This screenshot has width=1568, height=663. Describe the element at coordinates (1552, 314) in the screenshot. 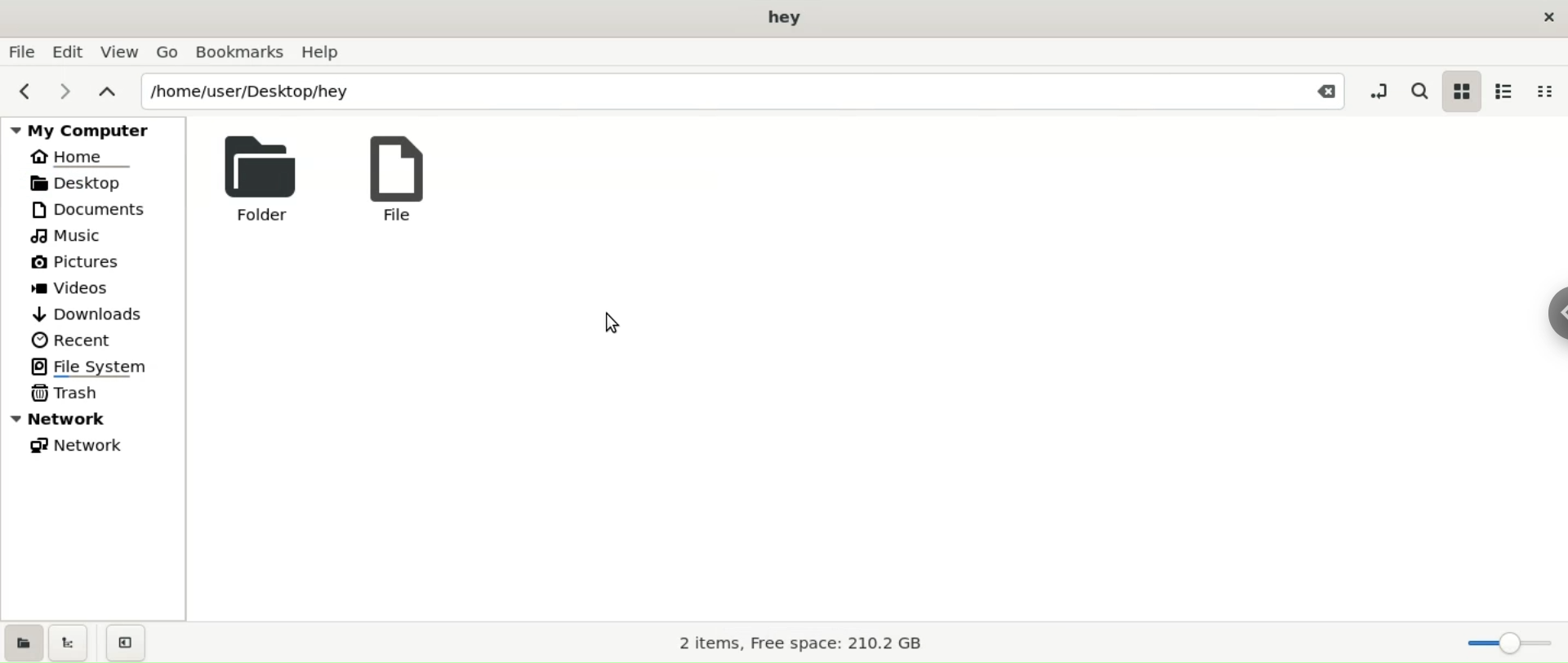

I see `chrome options` at that location.